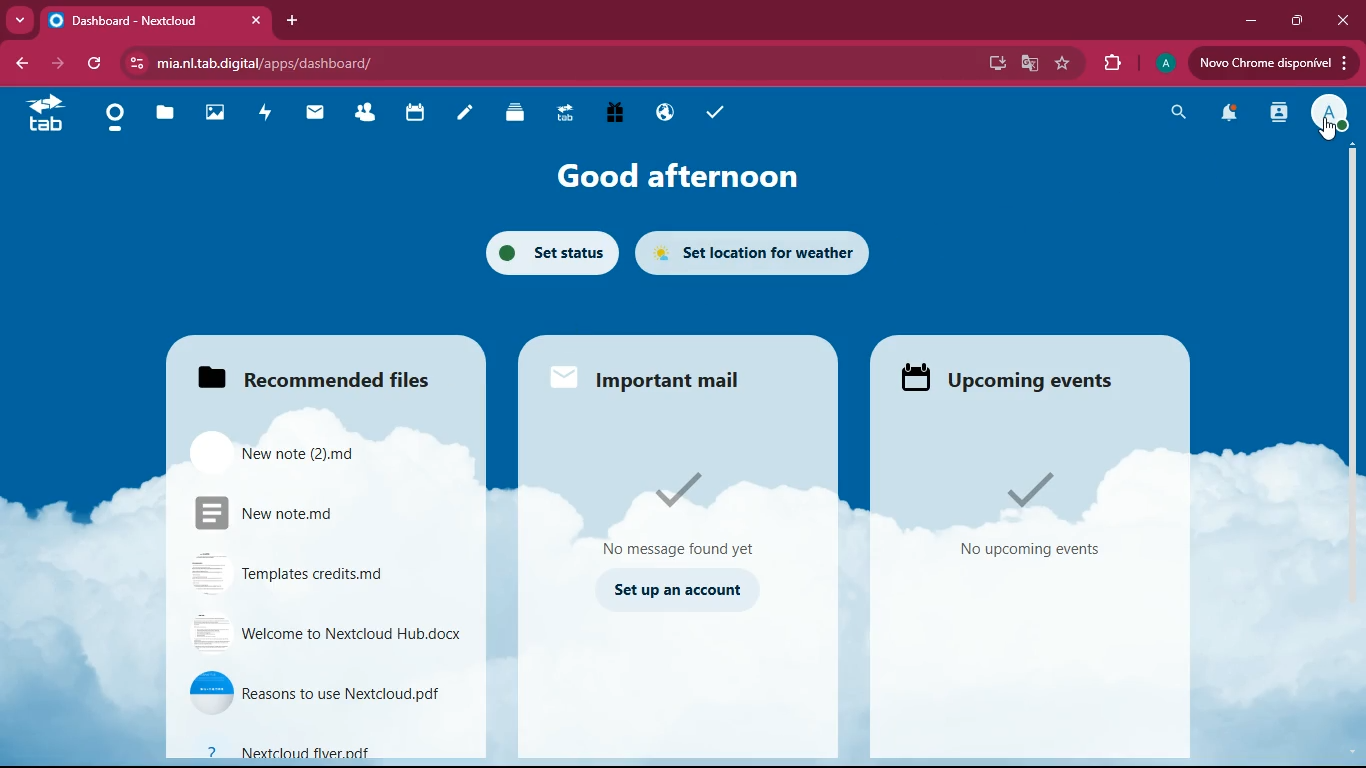  Describe the element at coordinates (412, 116) in the screenshot. I see `calendar` at that location.